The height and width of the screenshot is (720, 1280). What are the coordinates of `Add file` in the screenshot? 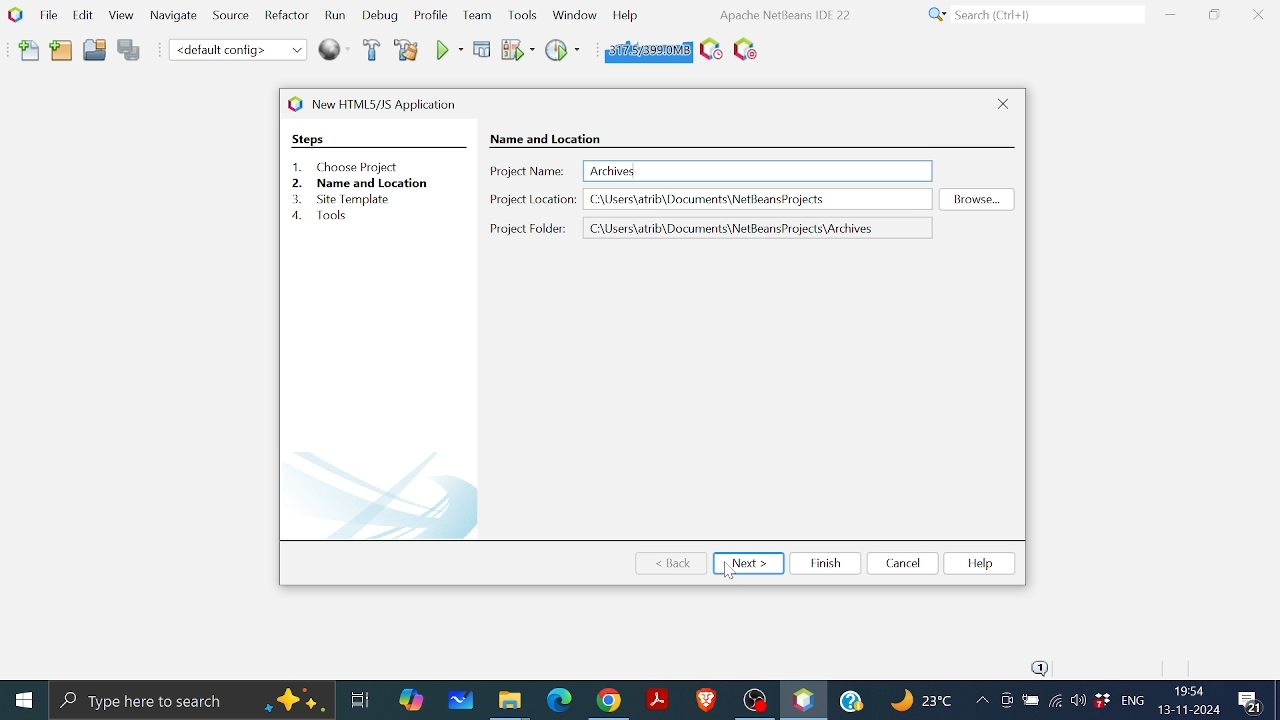 It's located at (30, 51).